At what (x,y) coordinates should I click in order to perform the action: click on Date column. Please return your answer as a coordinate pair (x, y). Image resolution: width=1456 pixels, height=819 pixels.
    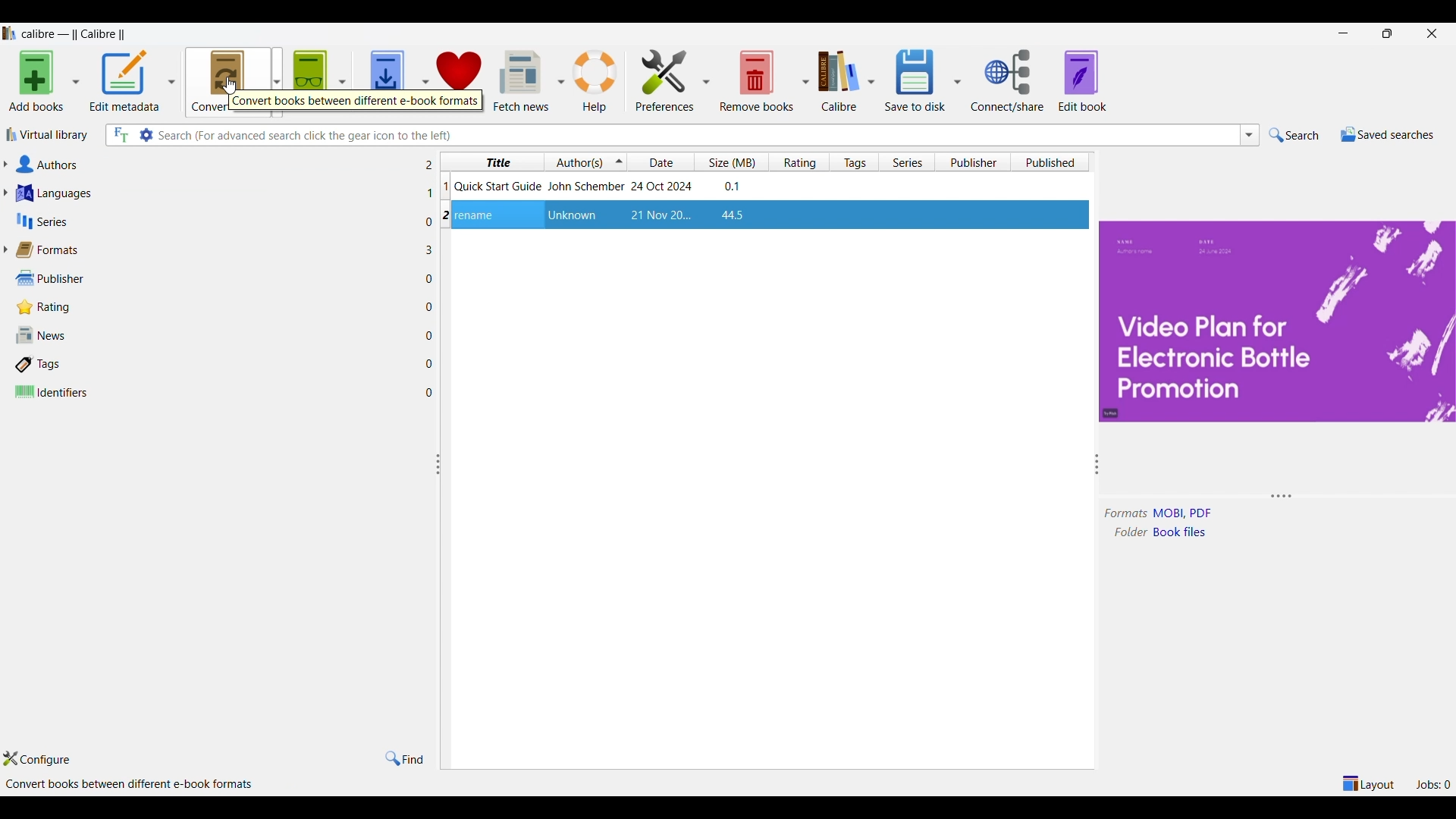
    Looking at the image, I should click on (661, 162).